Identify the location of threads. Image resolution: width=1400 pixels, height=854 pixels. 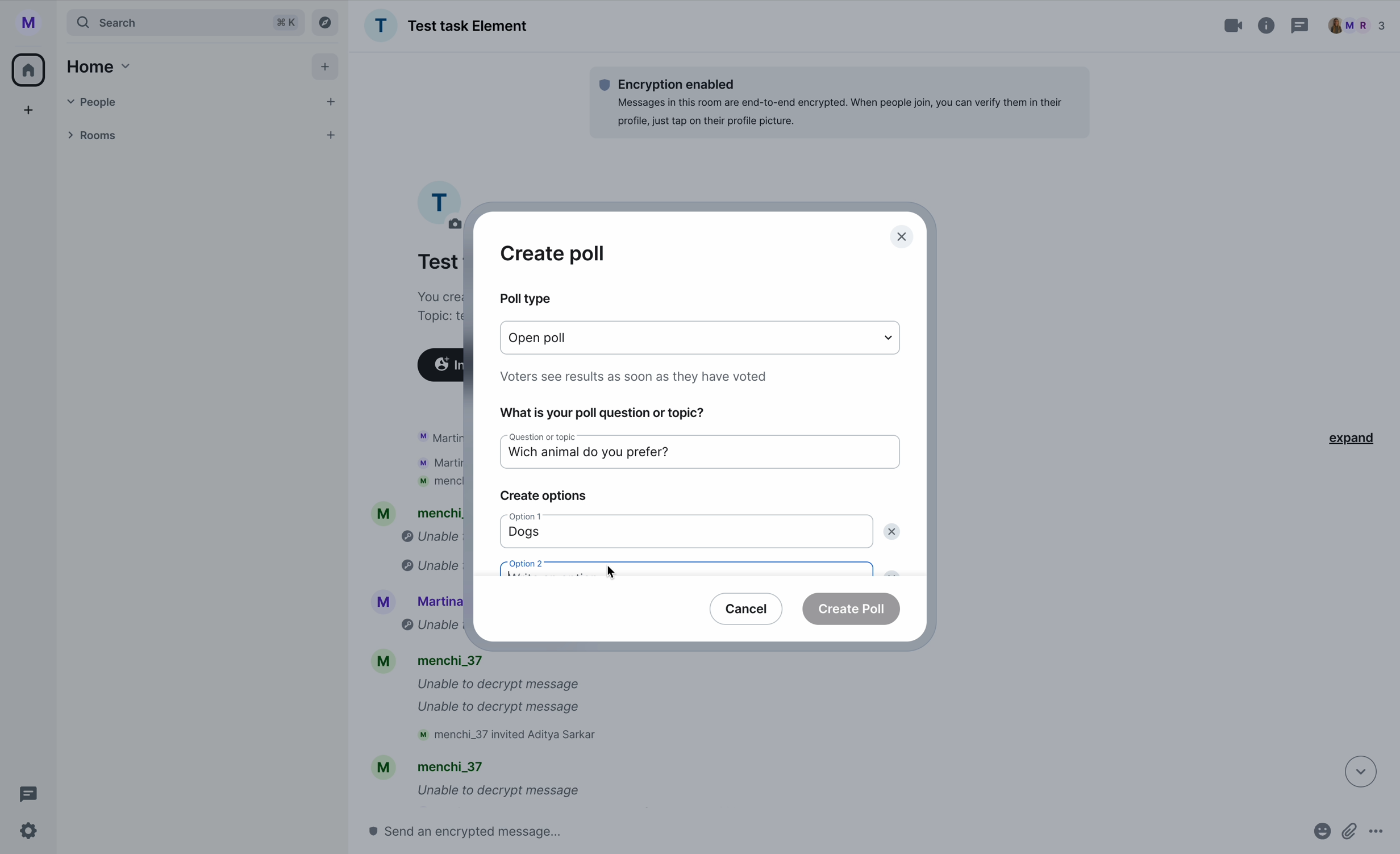
(1298, 27).